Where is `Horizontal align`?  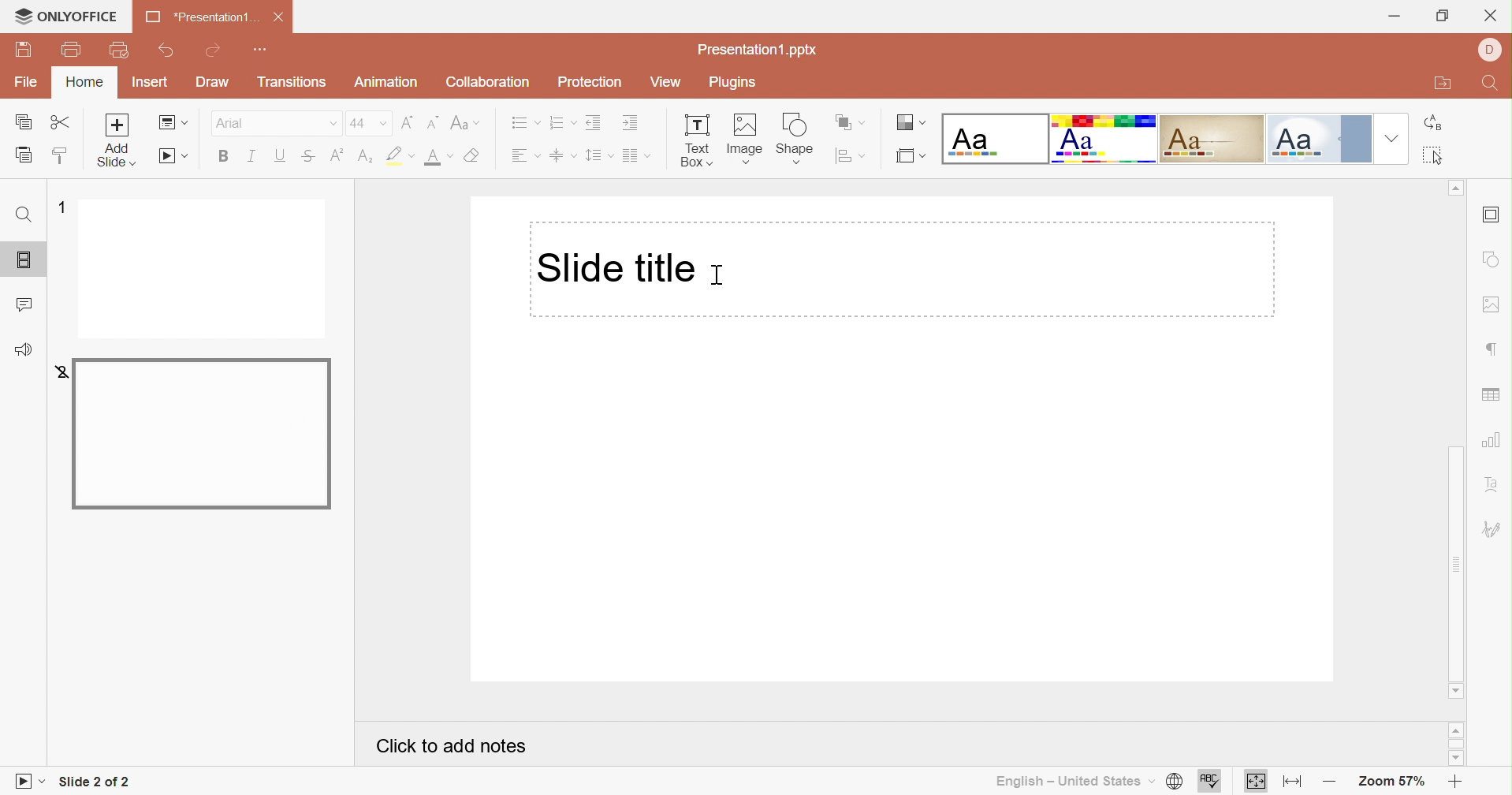
Horizontal align is located at coordinates (527, 155).